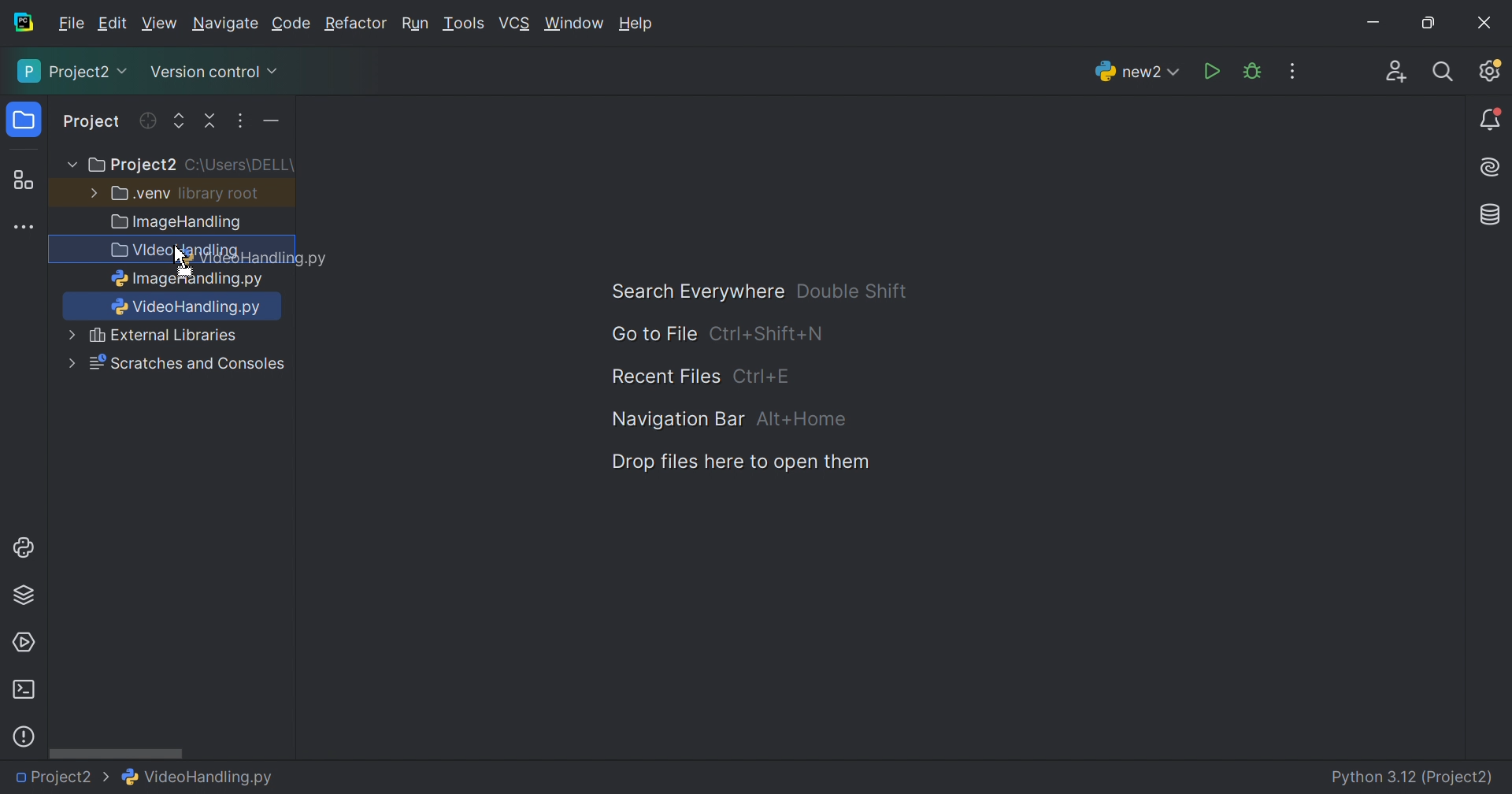 The width and height of the screenshot is (1512, 794). Describe the element at coordinates (23, 643) in the screenshot. I see `Services` at that location.